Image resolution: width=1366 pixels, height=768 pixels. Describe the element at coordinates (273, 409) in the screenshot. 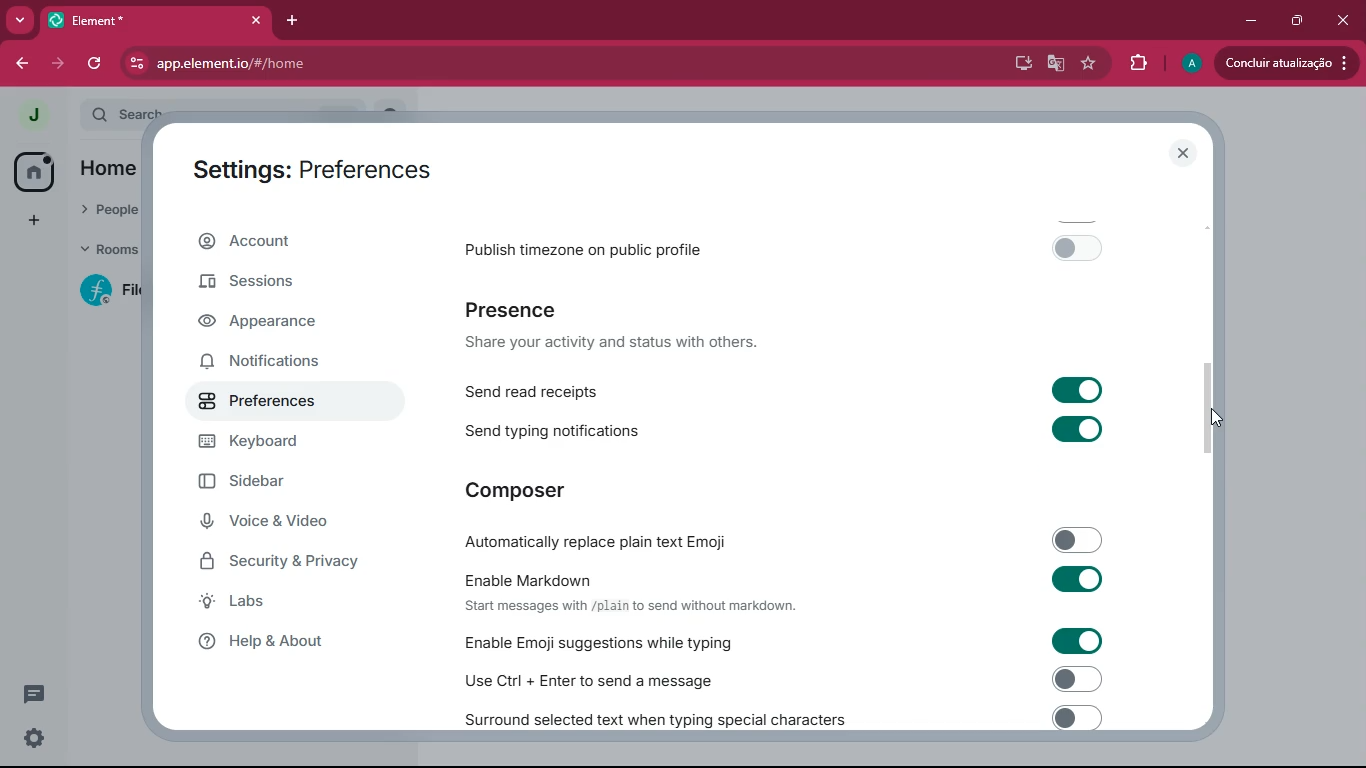

I see `preferences` at that location.